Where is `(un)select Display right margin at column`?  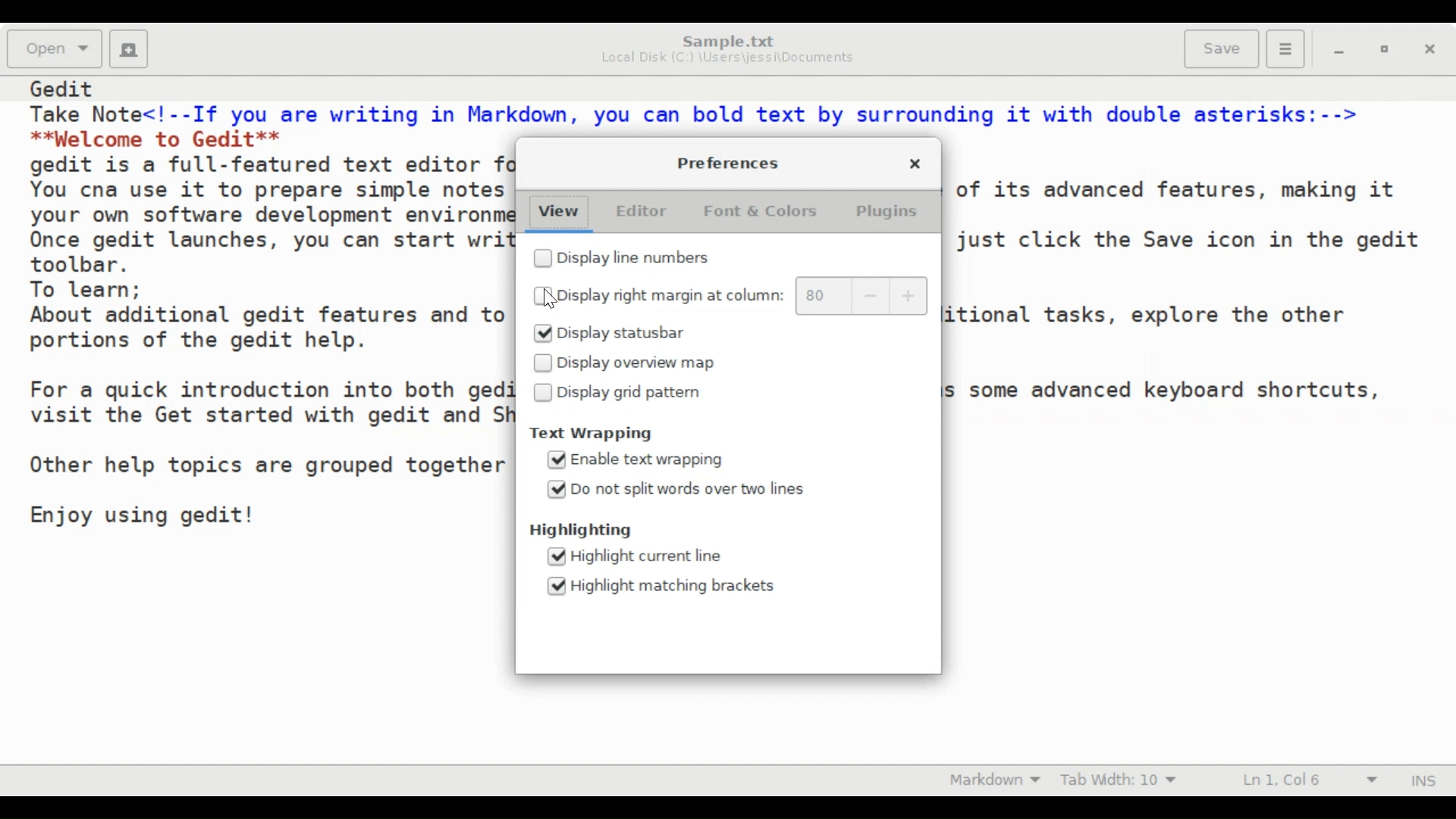
(un)select Display right margin at column is located at coordinates (657, 296).